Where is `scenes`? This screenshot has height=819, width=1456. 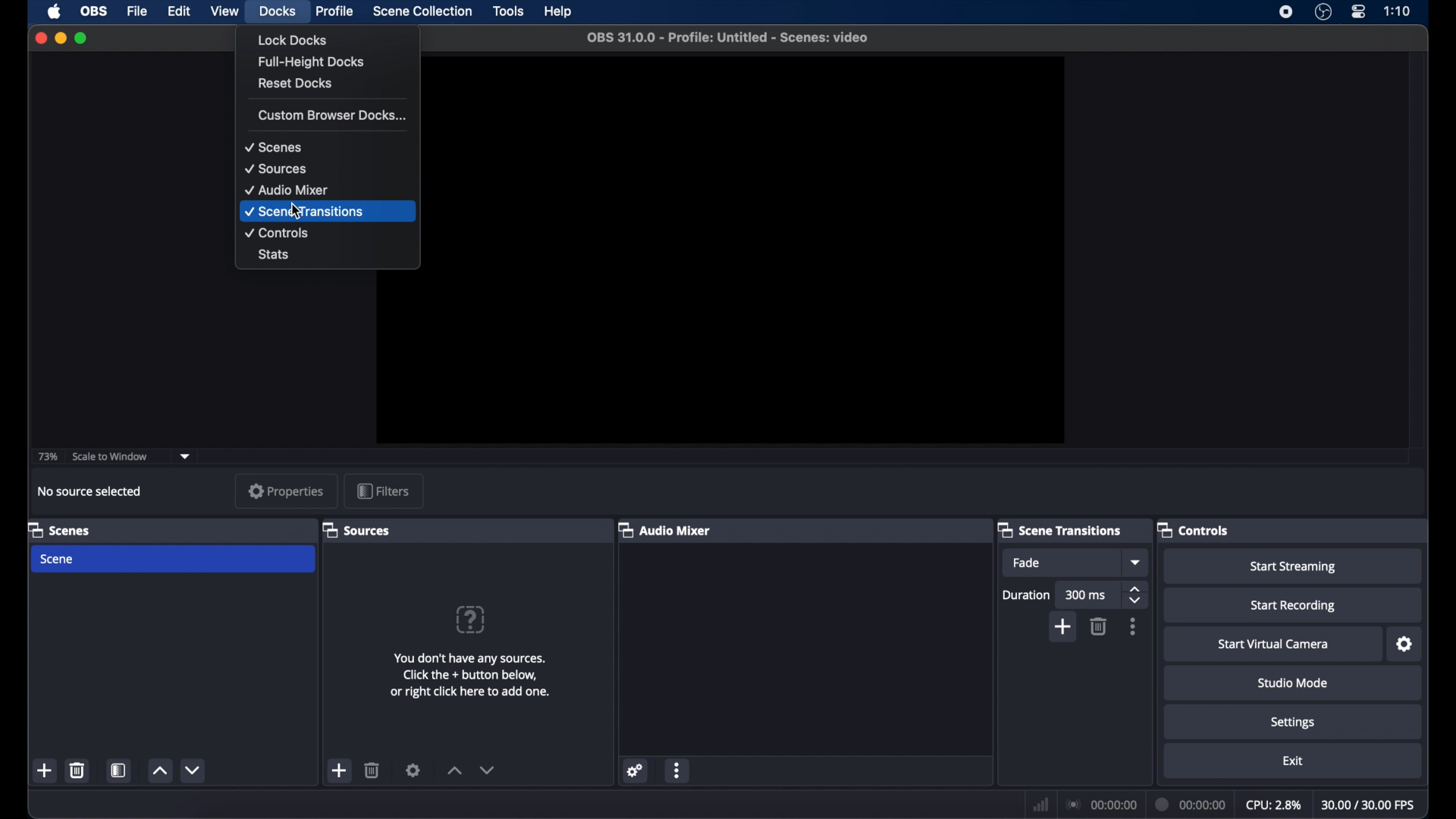 scenes is located at coordinates (58, 529).